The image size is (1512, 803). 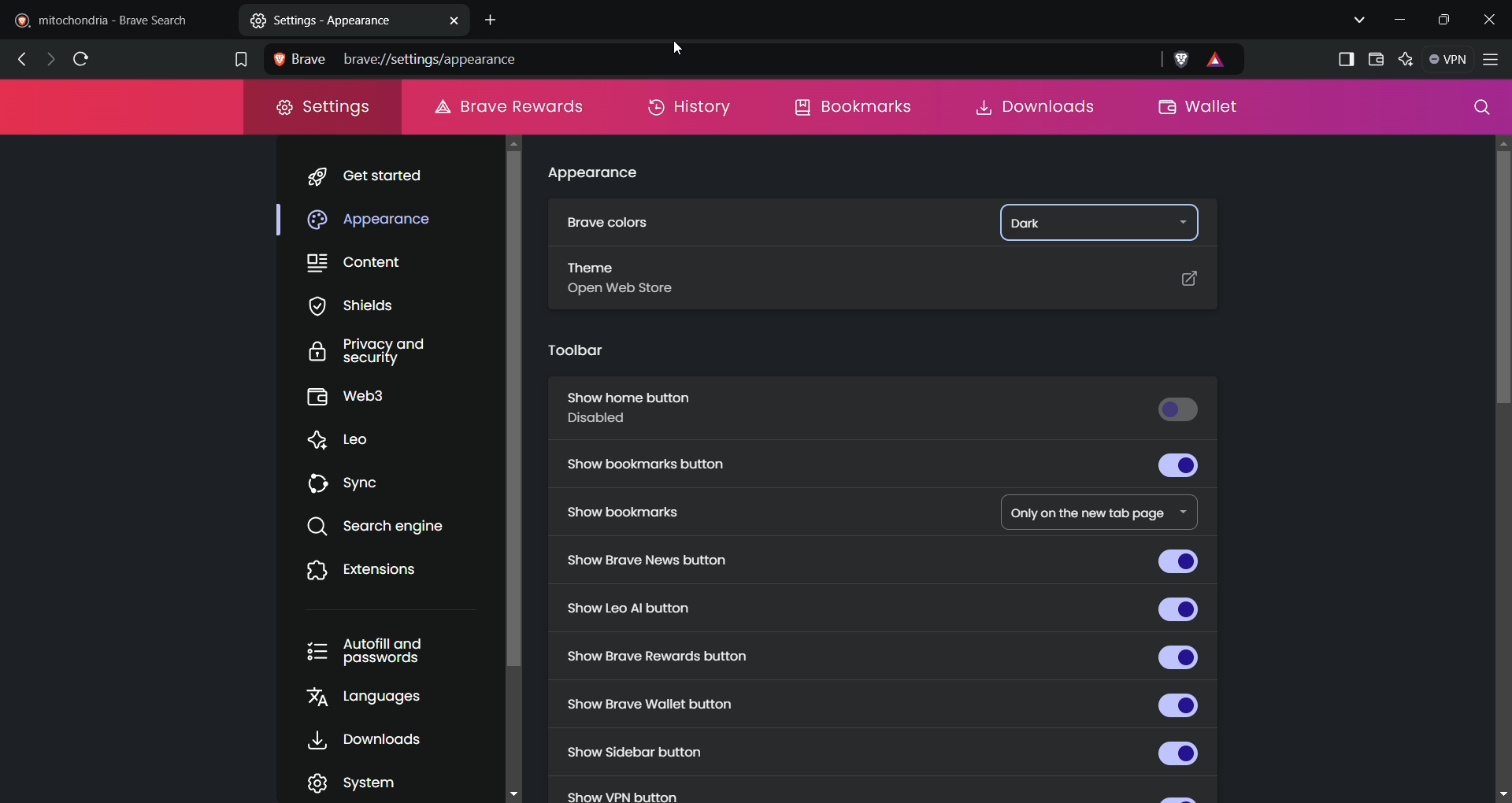 What do you see at coordinates (1376, 59) in the screenshot?
I see `wallet` at bounding box center [1376, 59].